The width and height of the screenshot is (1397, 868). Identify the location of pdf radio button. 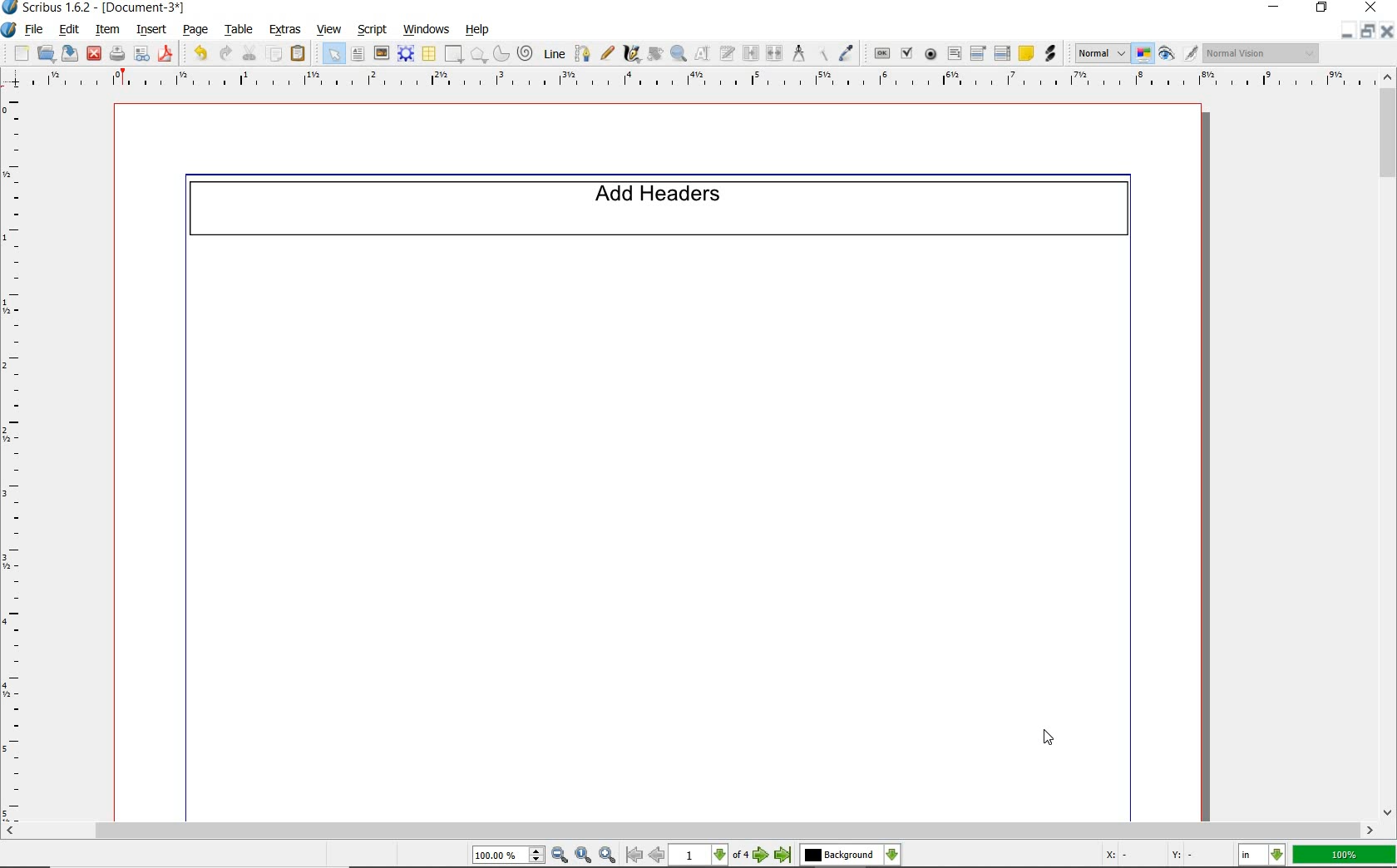
(932, 54).